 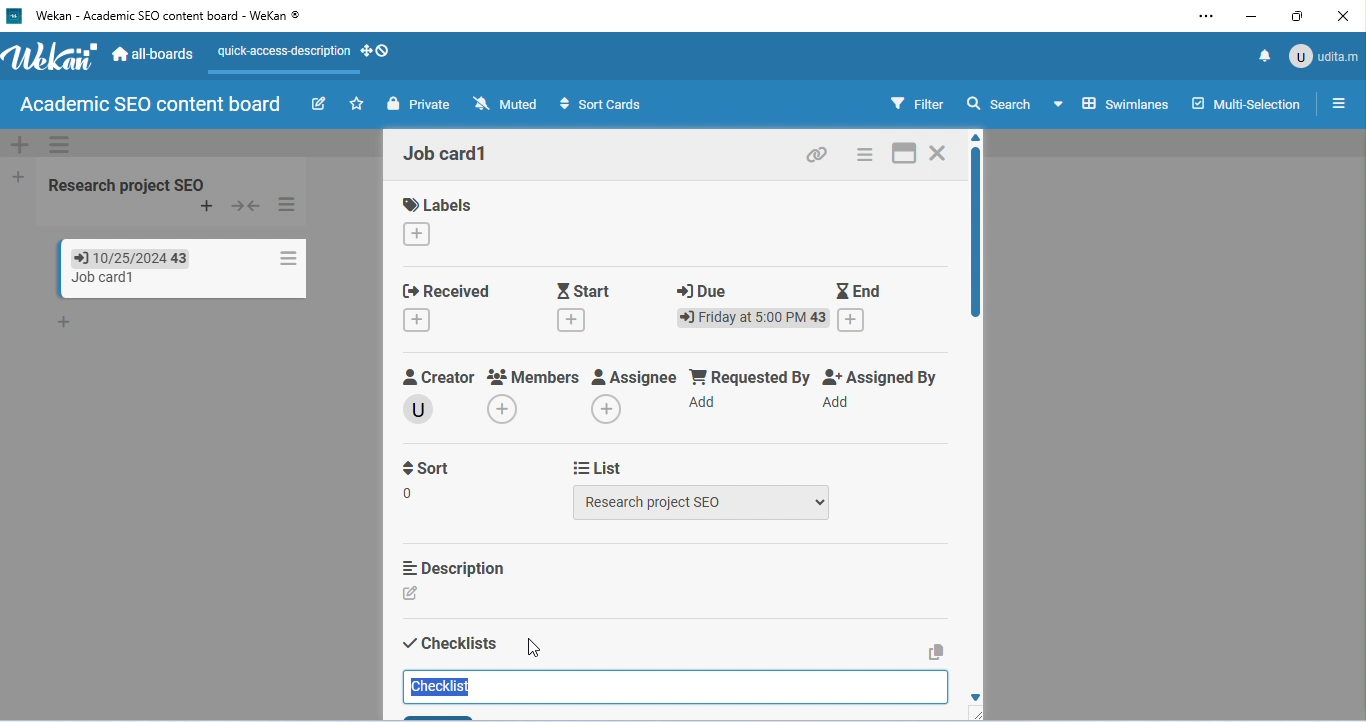 I want to click on select board view, so click(x=1111, y=103).